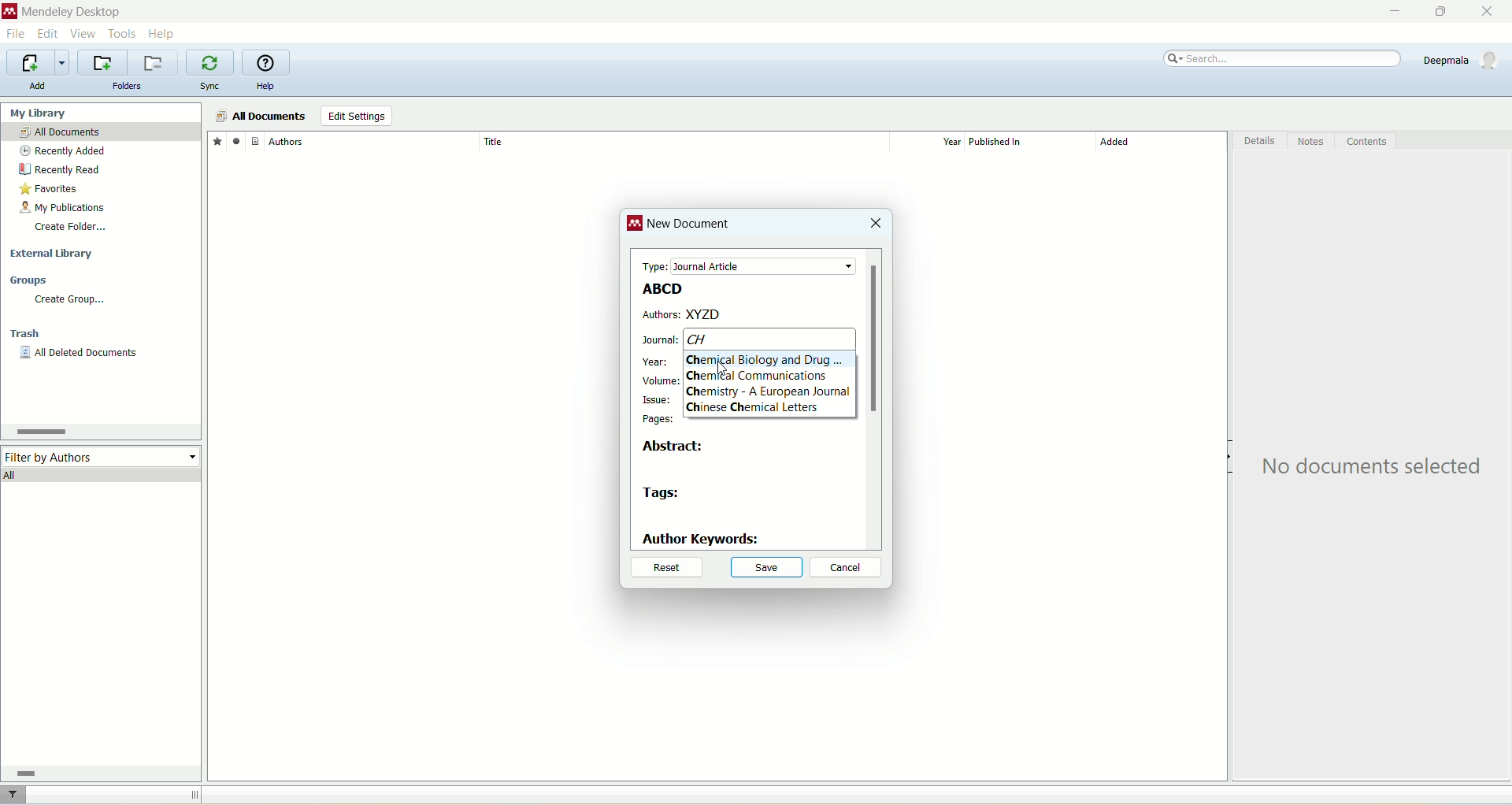  What do you see at coordinates (769, 384) in the screenshot?
I see `Text` at bounding box center [769, 384].